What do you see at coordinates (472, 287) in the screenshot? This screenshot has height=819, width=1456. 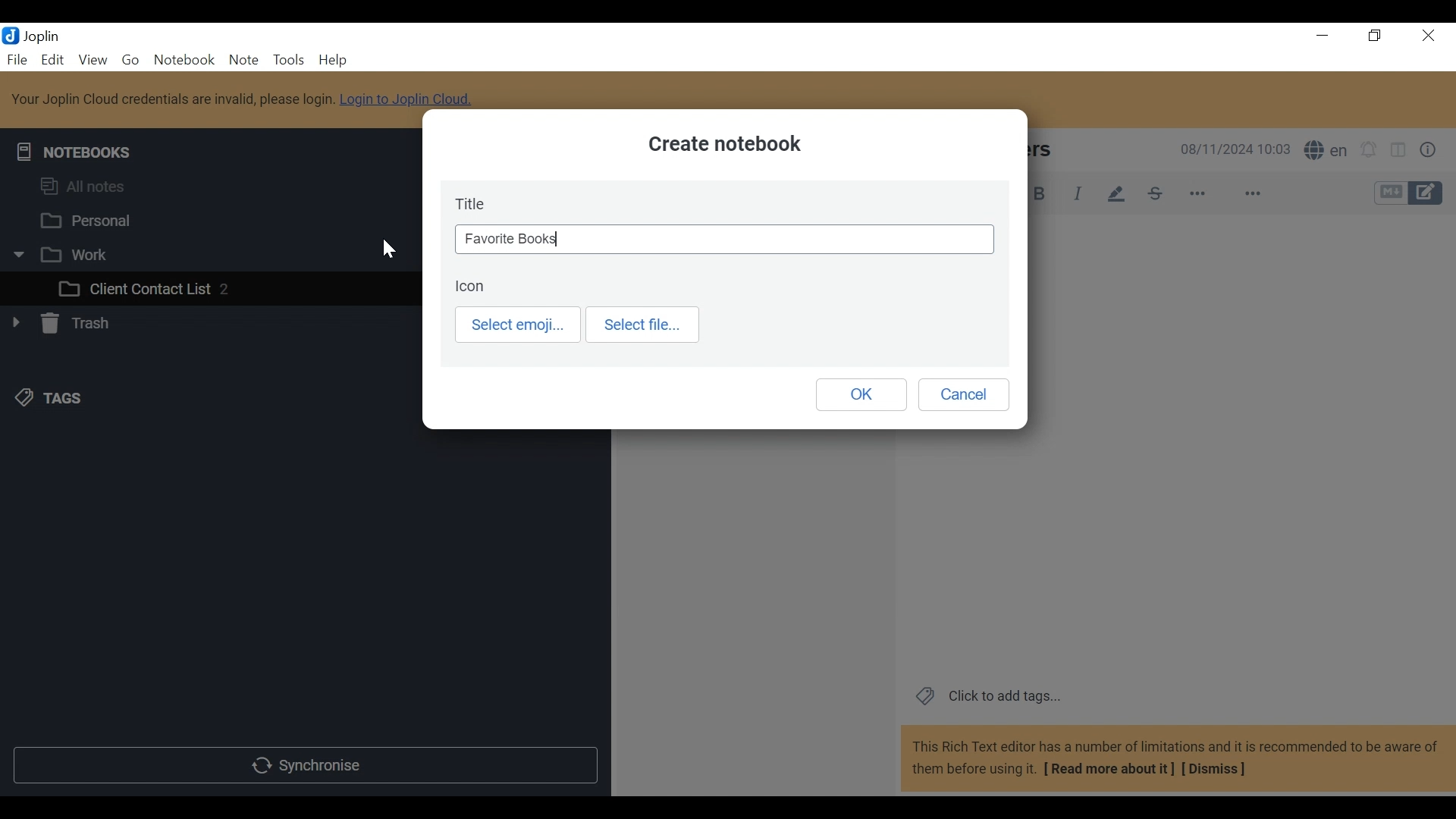 I see `Icon` at bounding box center [472, 287].